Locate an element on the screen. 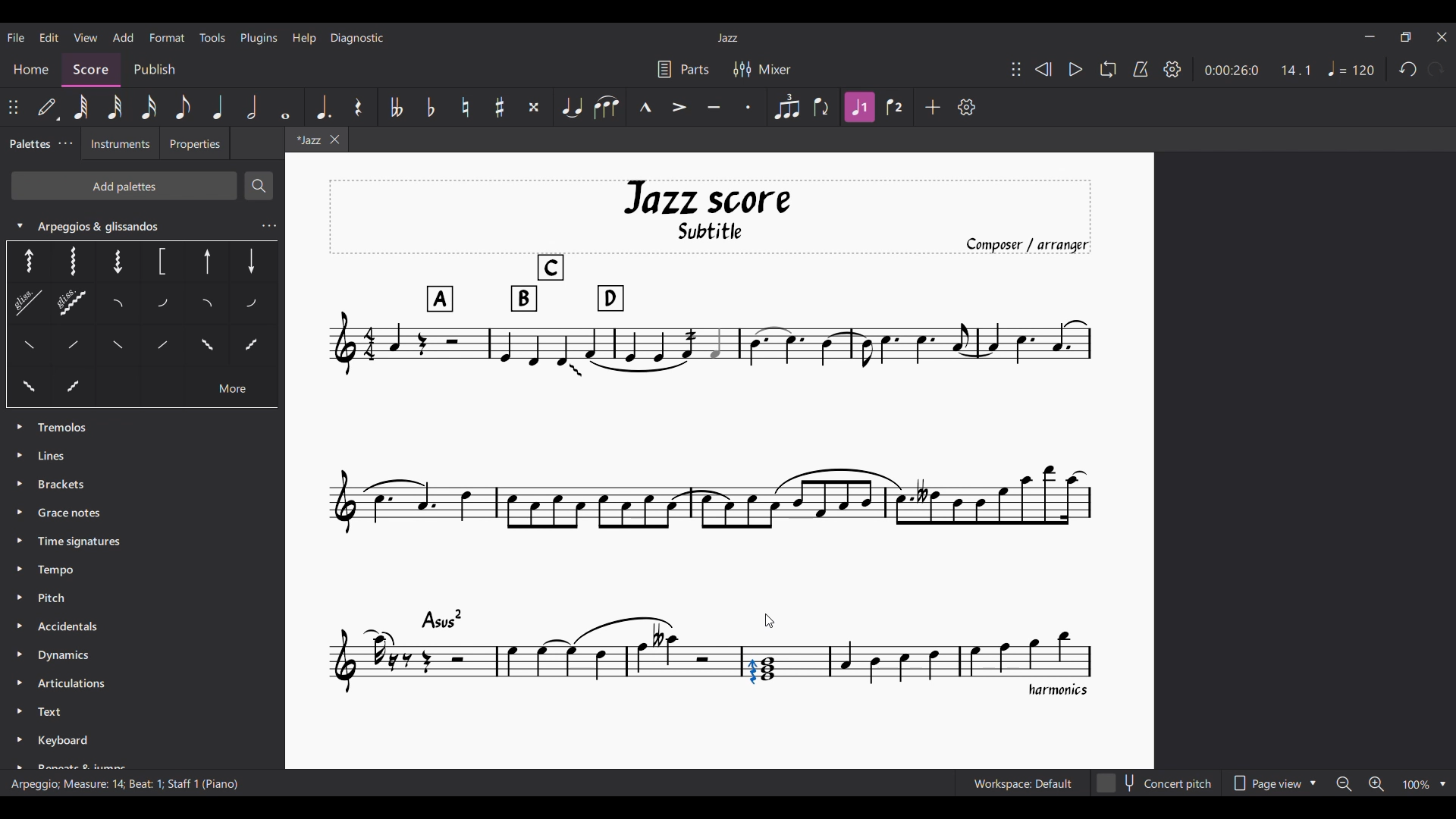   is located at coordinates (27, 344).